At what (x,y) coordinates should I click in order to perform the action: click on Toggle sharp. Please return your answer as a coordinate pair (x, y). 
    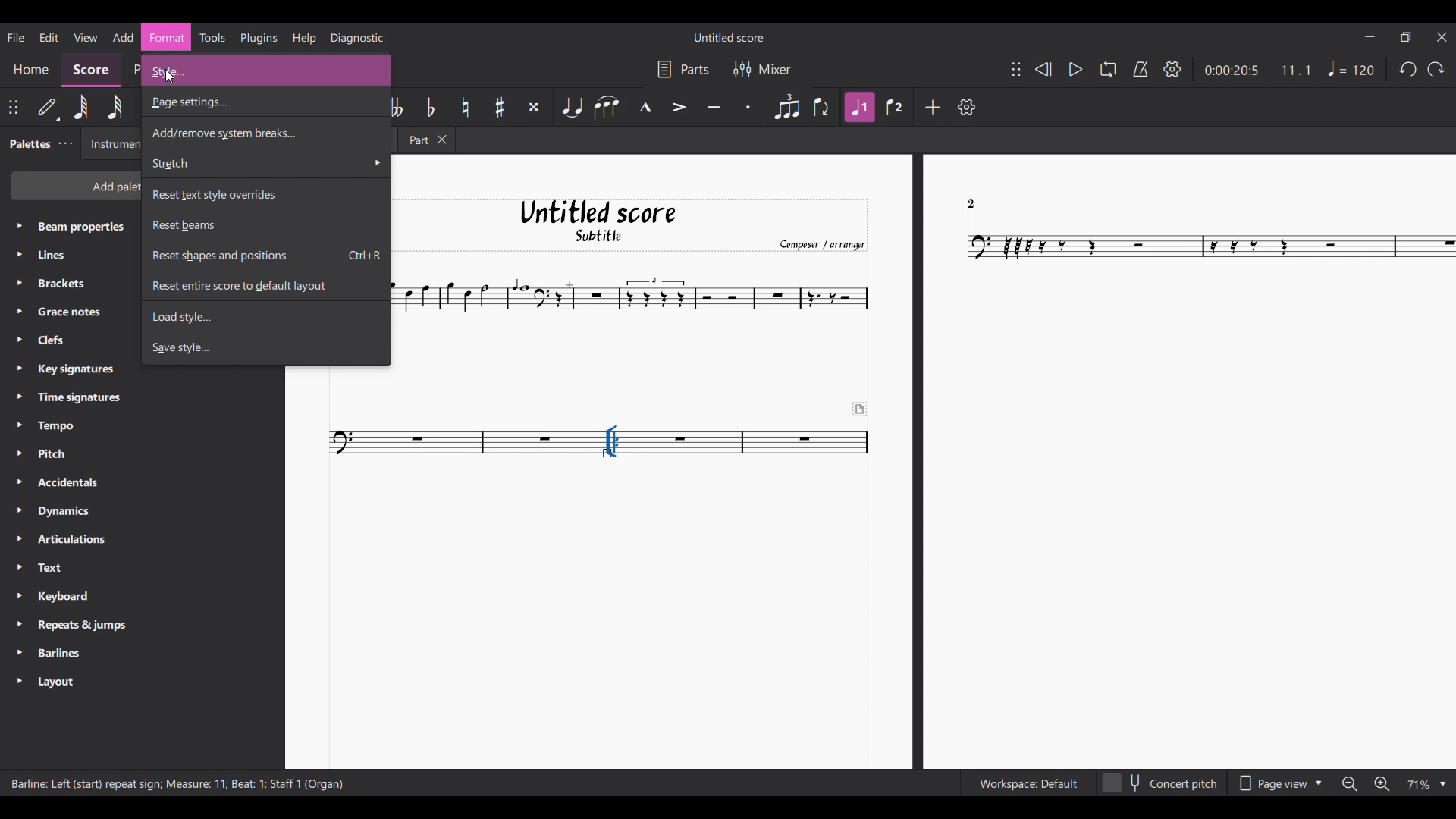
    Looking at the image, I should click on (499, 107).